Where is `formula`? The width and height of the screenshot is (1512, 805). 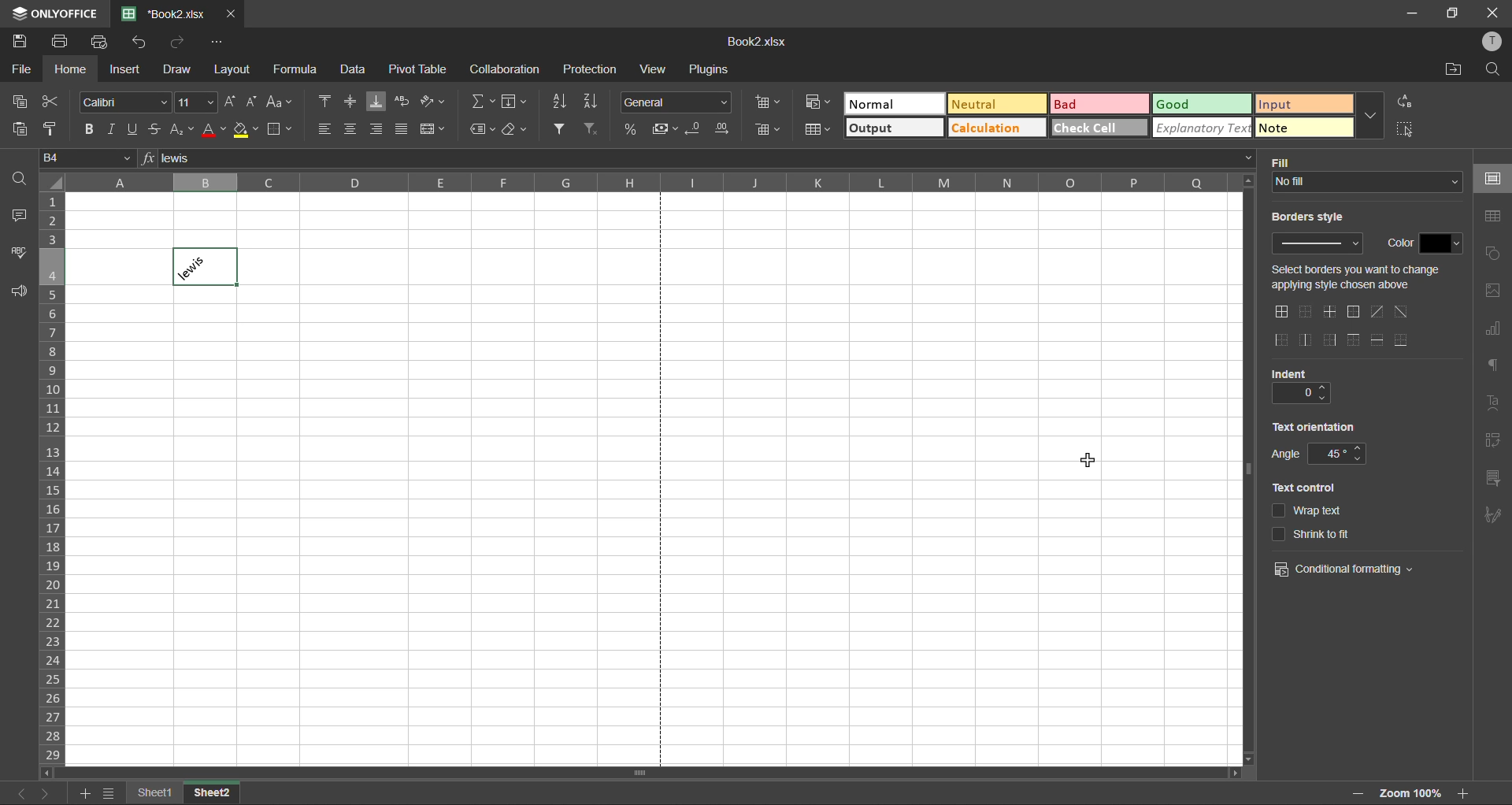 formula is located at coordinates (297, 70).